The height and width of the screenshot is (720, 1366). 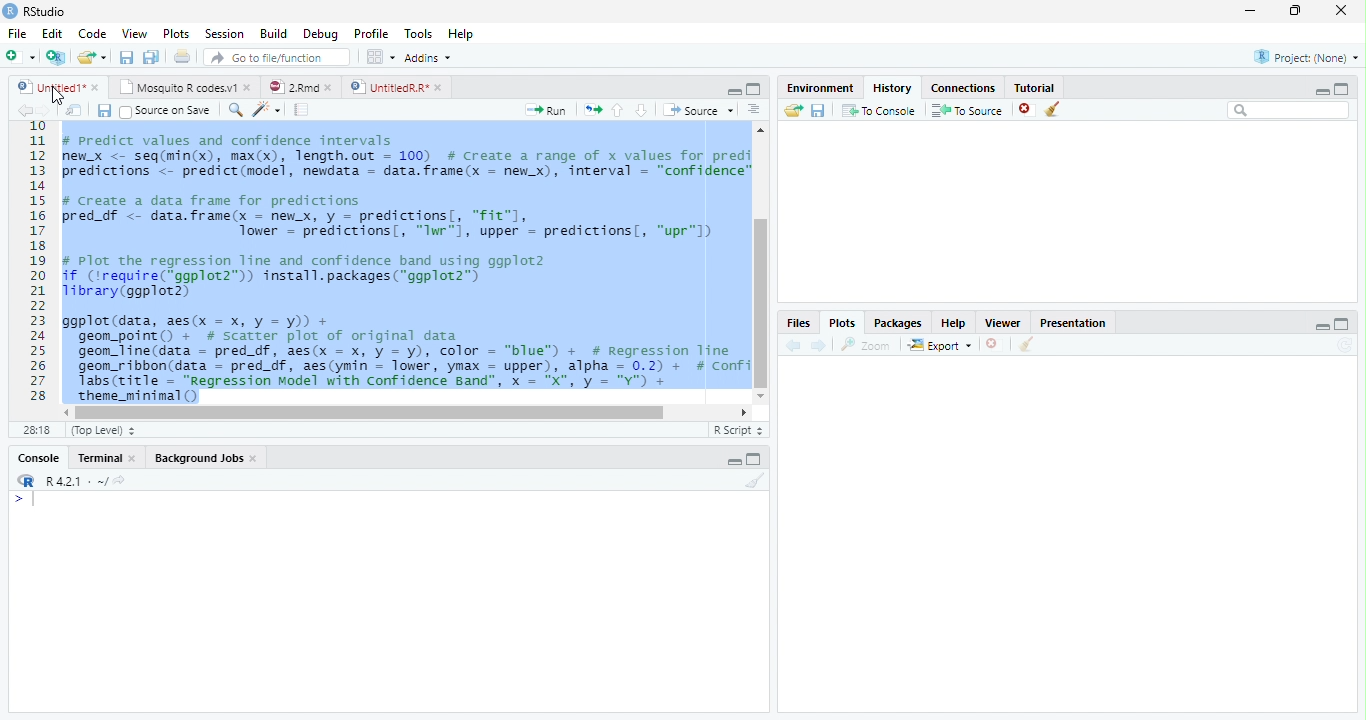 What do you see at coordinates (818, 113) in the screenshot?
I see `Save` at bounding box center [818, 113].